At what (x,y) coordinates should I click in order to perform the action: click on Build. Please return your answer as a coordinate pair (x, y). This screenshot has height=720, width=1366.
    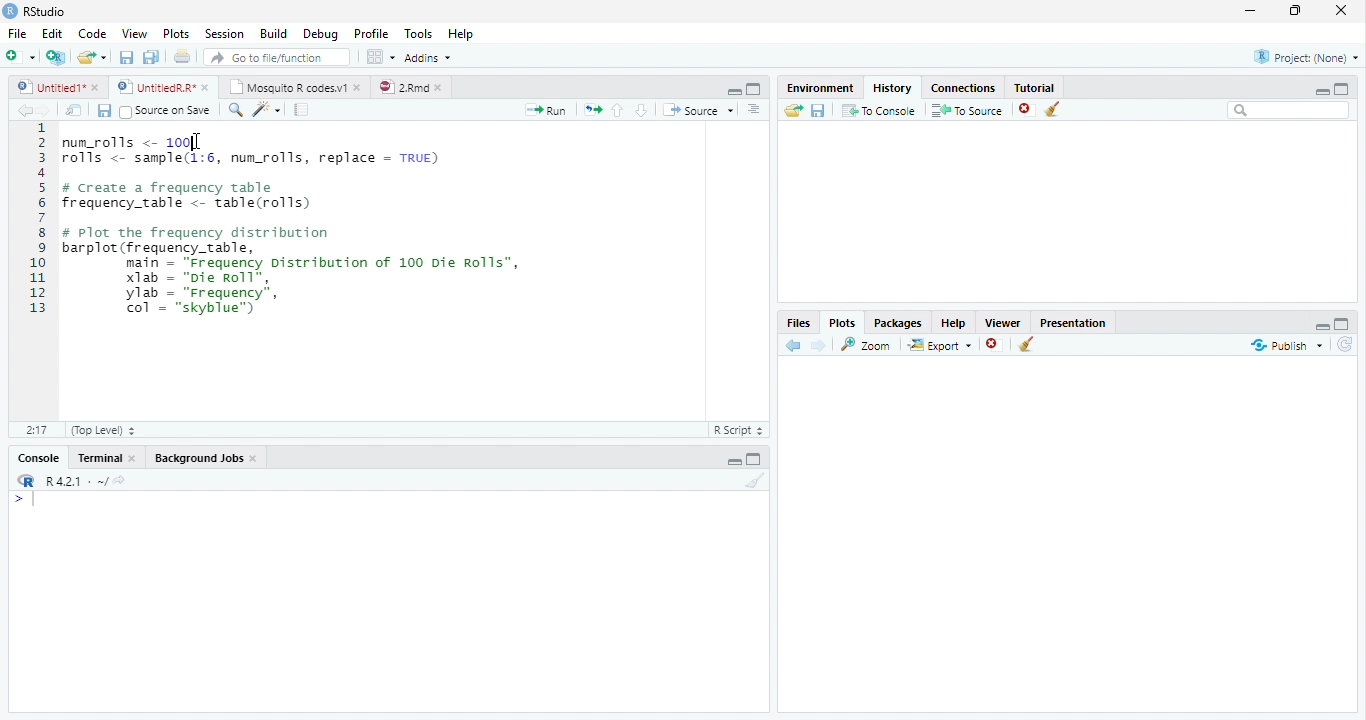
    Looking at the image, I should click on (275, 33).